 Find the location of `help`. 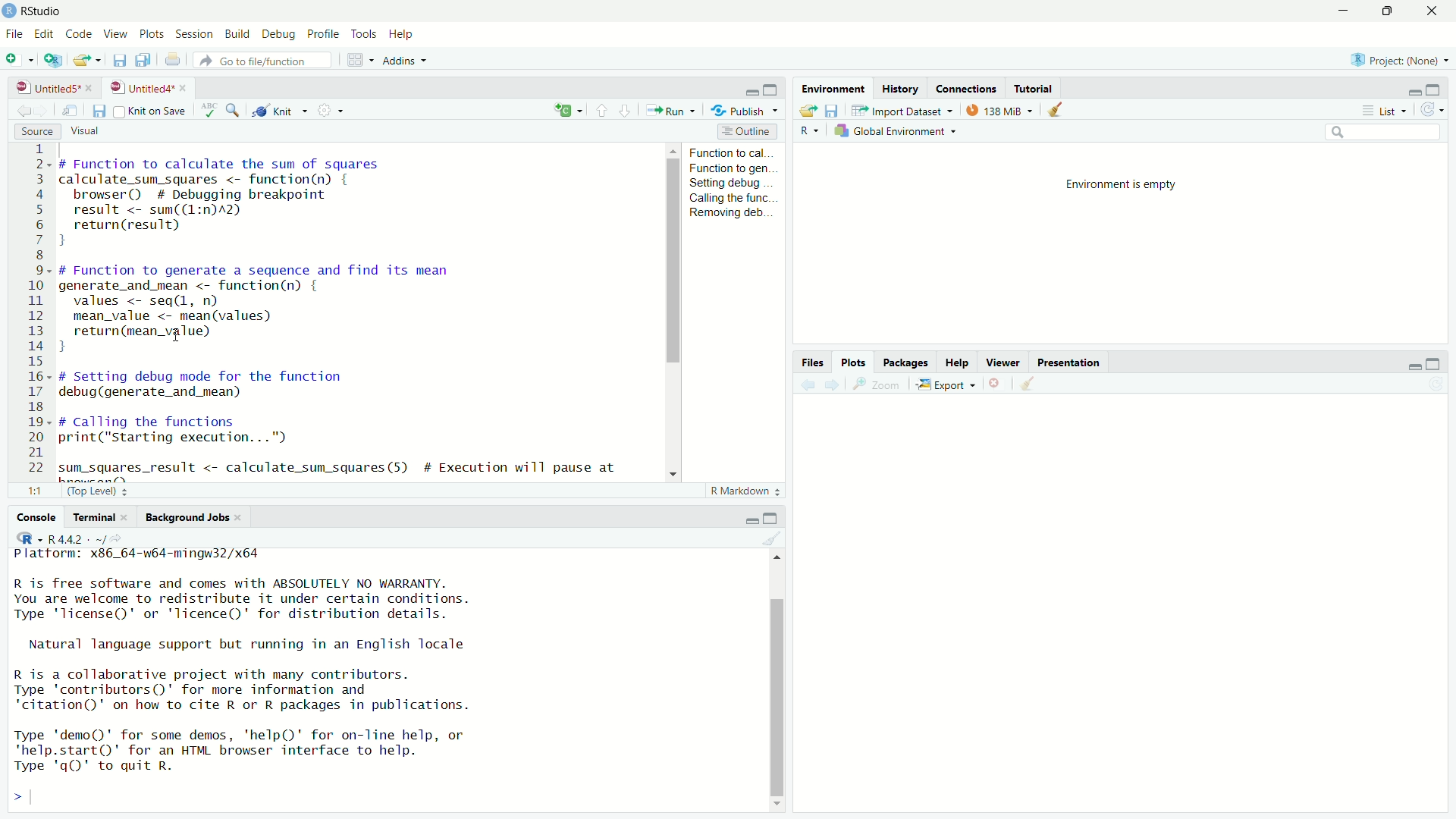

help is located at coordinates (403, 33).